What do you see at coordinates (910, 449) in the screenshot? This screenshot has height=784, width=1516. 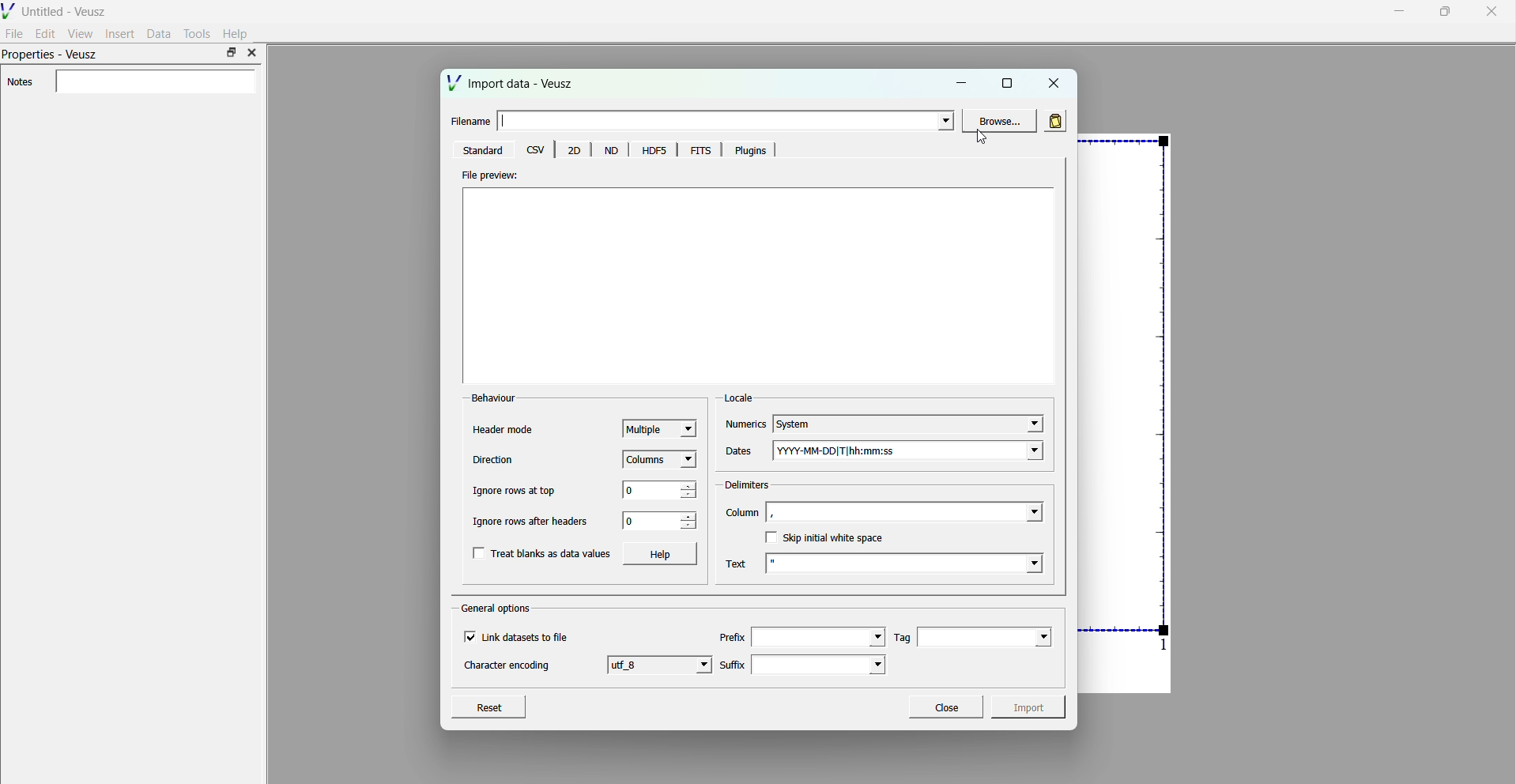 I see `YYYY-MM-DD|T|hh:mm:ss` at bounding box center [910, 449].